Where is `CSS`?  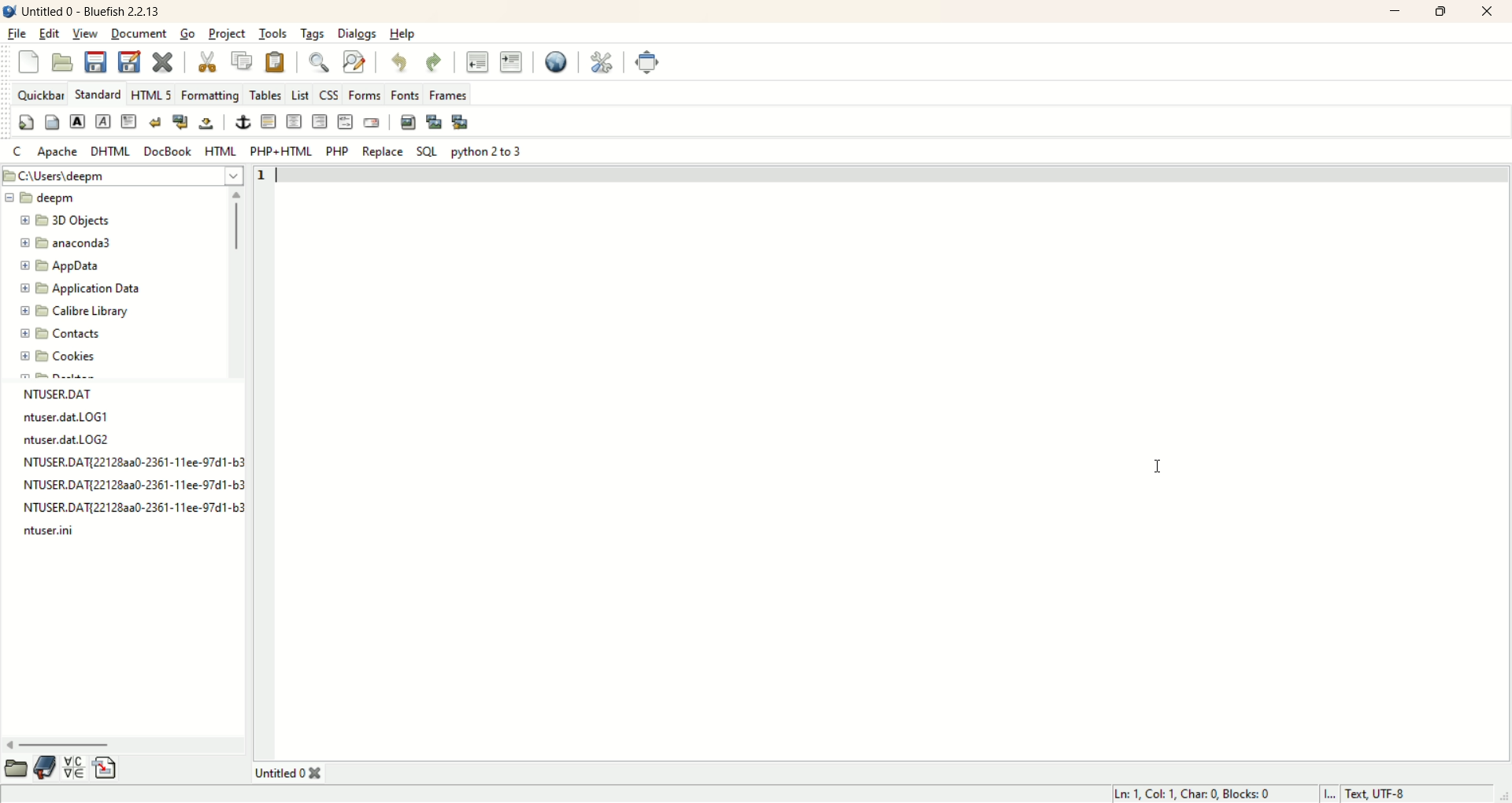
CSS is located at coordinates (331, 95).